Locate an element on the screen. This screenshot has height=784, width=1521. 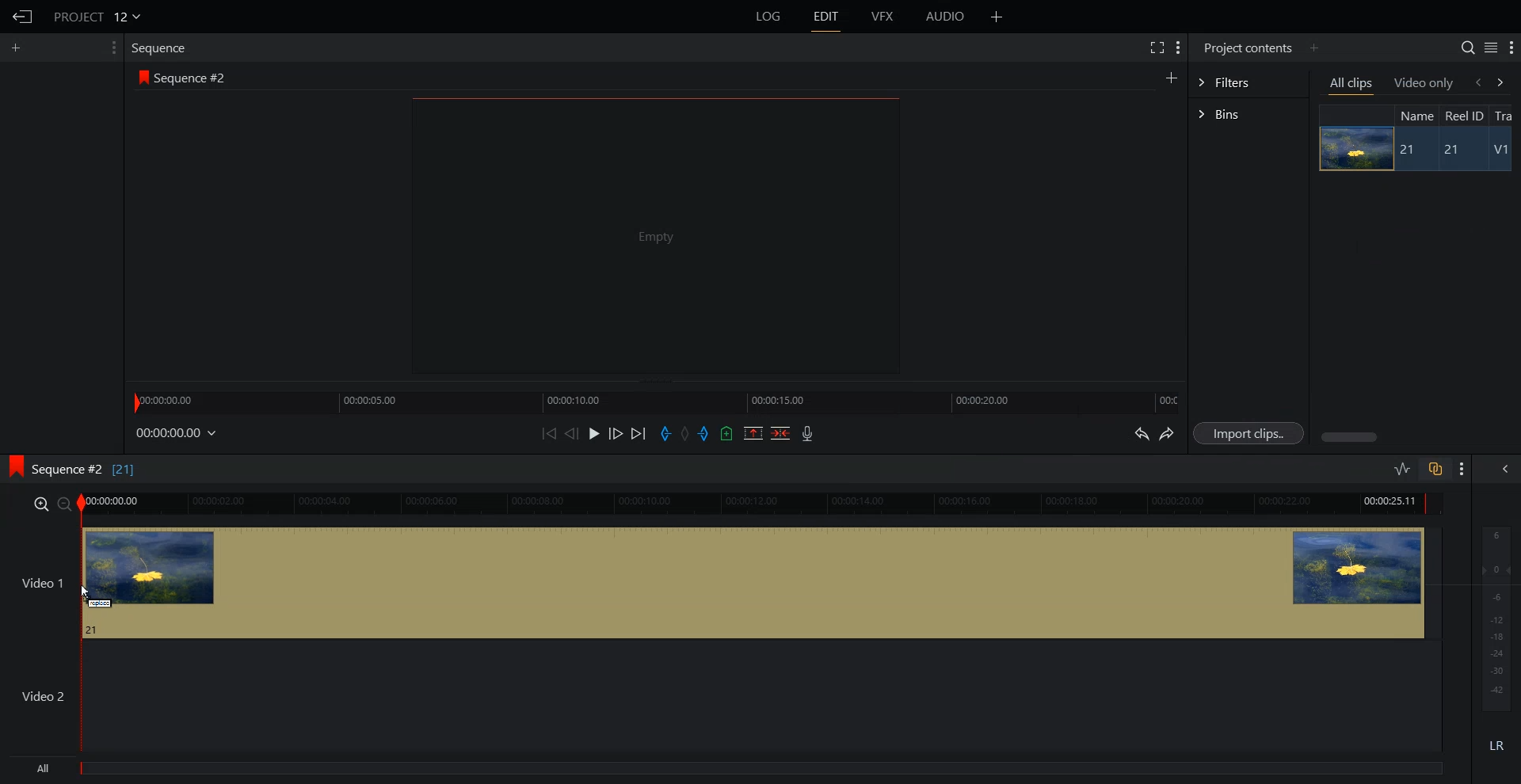
Add an out mark at the current position is located at coordinates (705, 432).